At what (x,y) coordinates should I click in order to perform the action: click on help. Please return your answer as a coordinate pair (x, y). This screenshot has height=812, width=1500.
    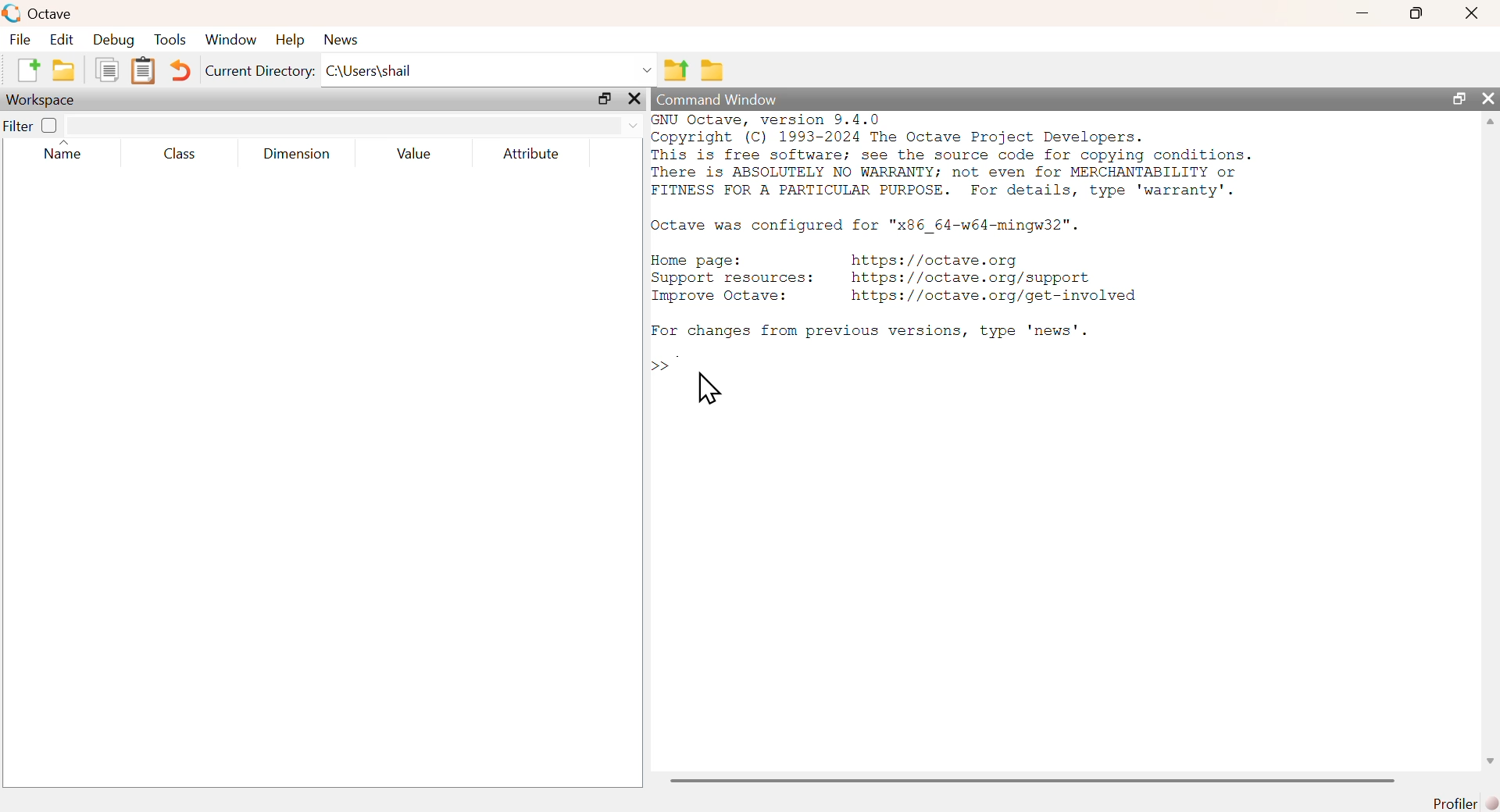
    Looking at the image, I should click on (294, 40).